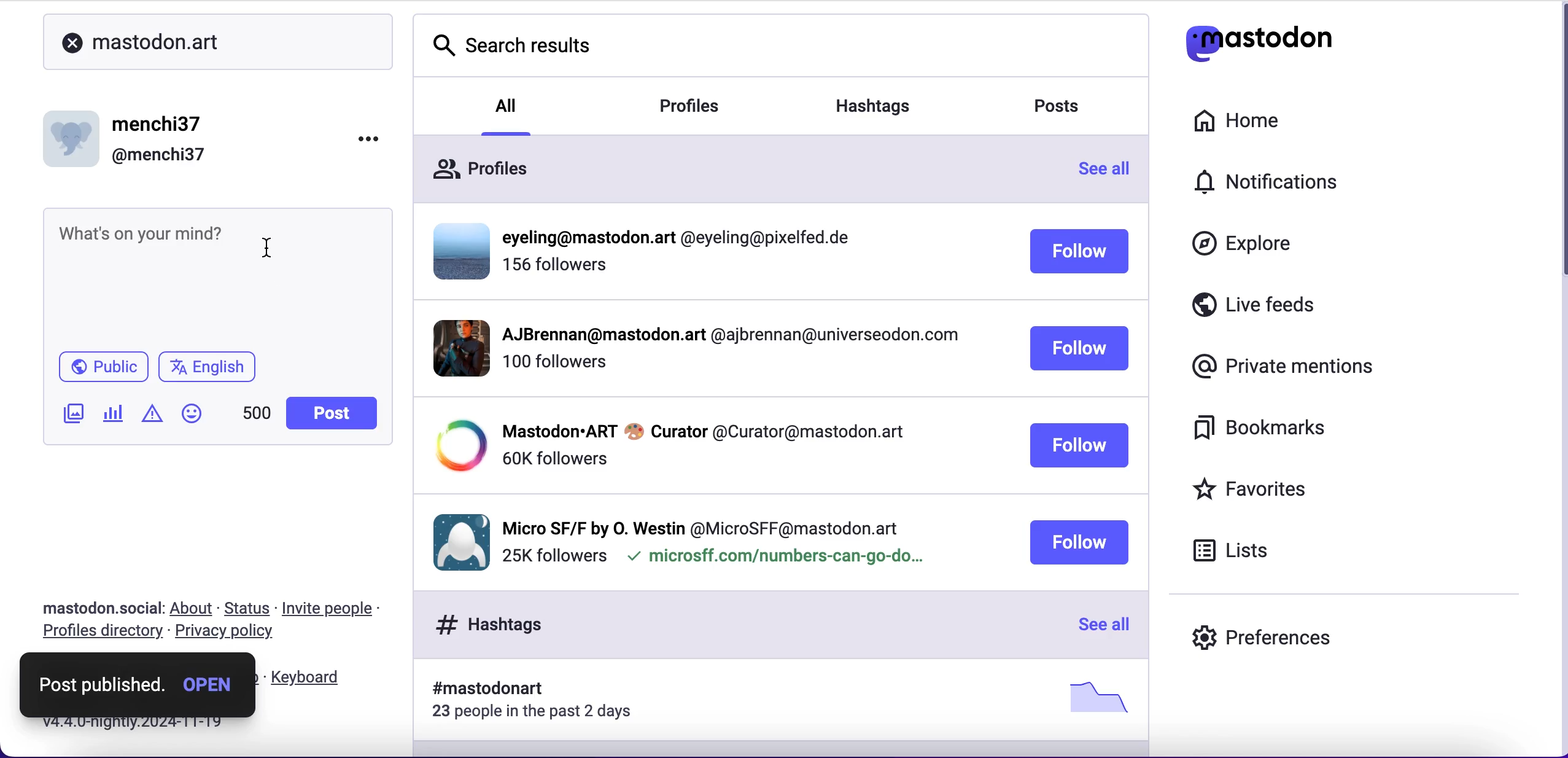 Image resolution: width=1568 pixels, height=758 pixels. What do you see at coordinates (126, 724) in the screenshot?
I see `v4.4. 0-nightly.2024-11-19` at bounding box center [126, 724].